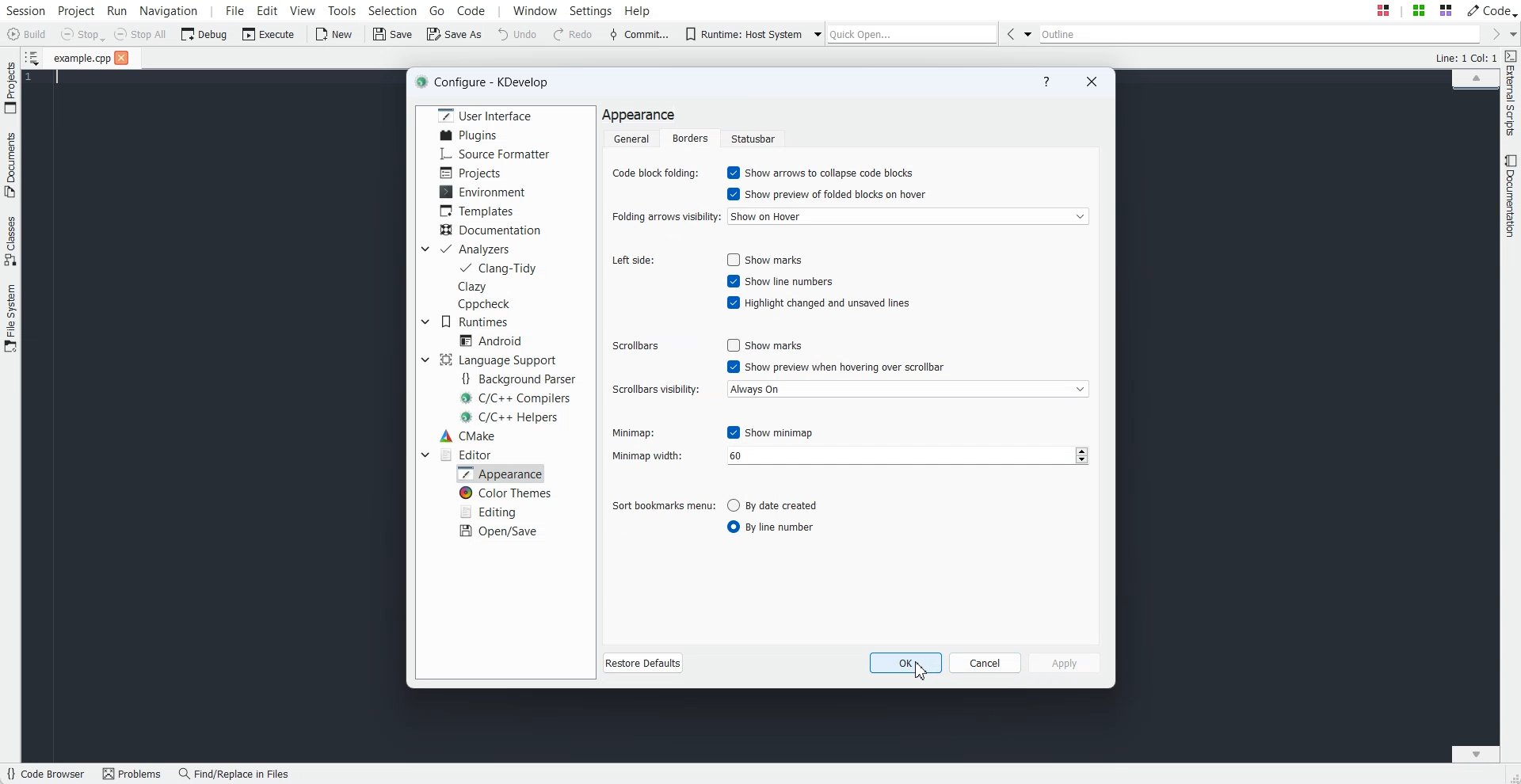 The image size is (1521, 784). I want to click on Appearance selected, so click(500, 474).